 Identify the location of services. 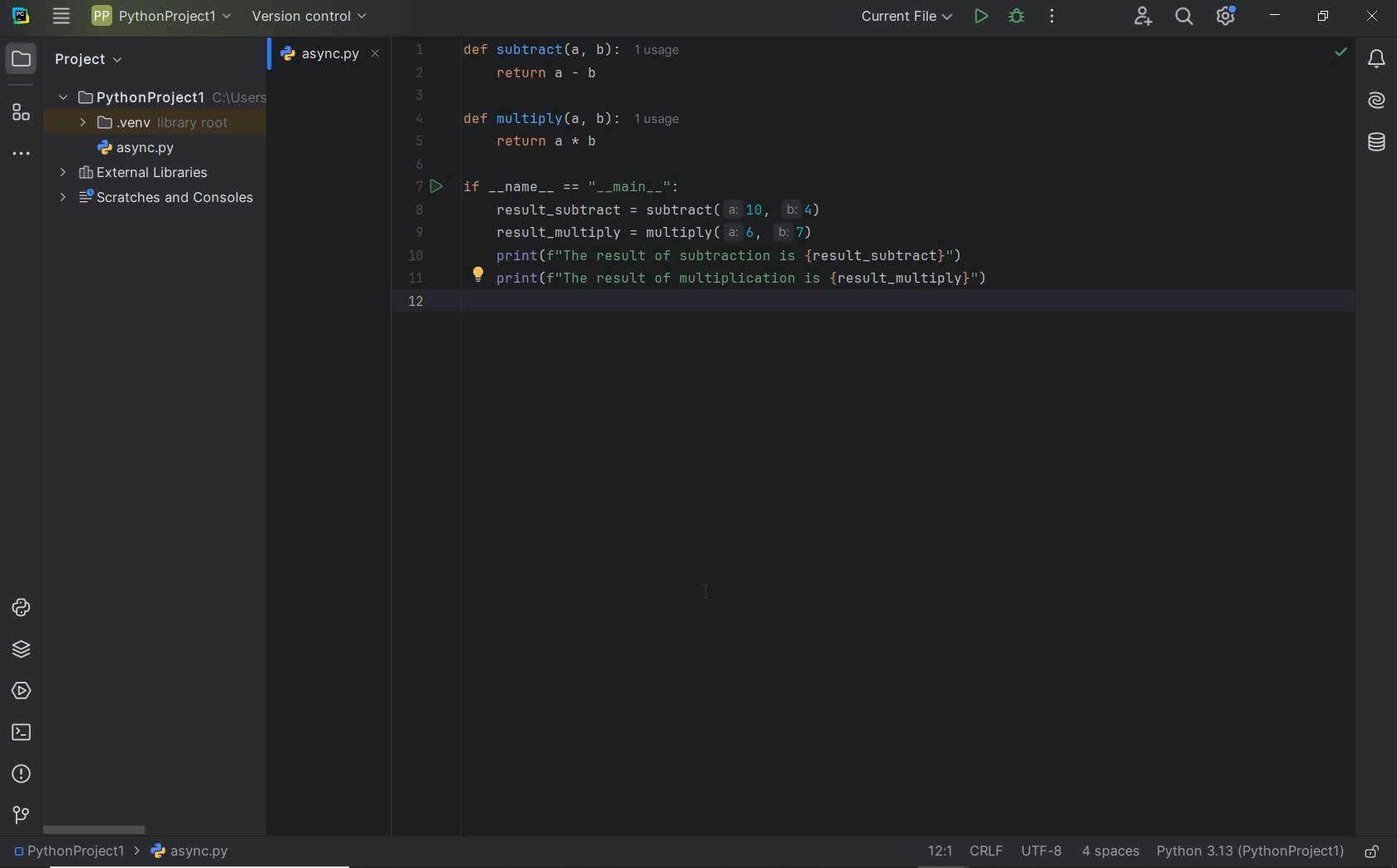
(18, 692).